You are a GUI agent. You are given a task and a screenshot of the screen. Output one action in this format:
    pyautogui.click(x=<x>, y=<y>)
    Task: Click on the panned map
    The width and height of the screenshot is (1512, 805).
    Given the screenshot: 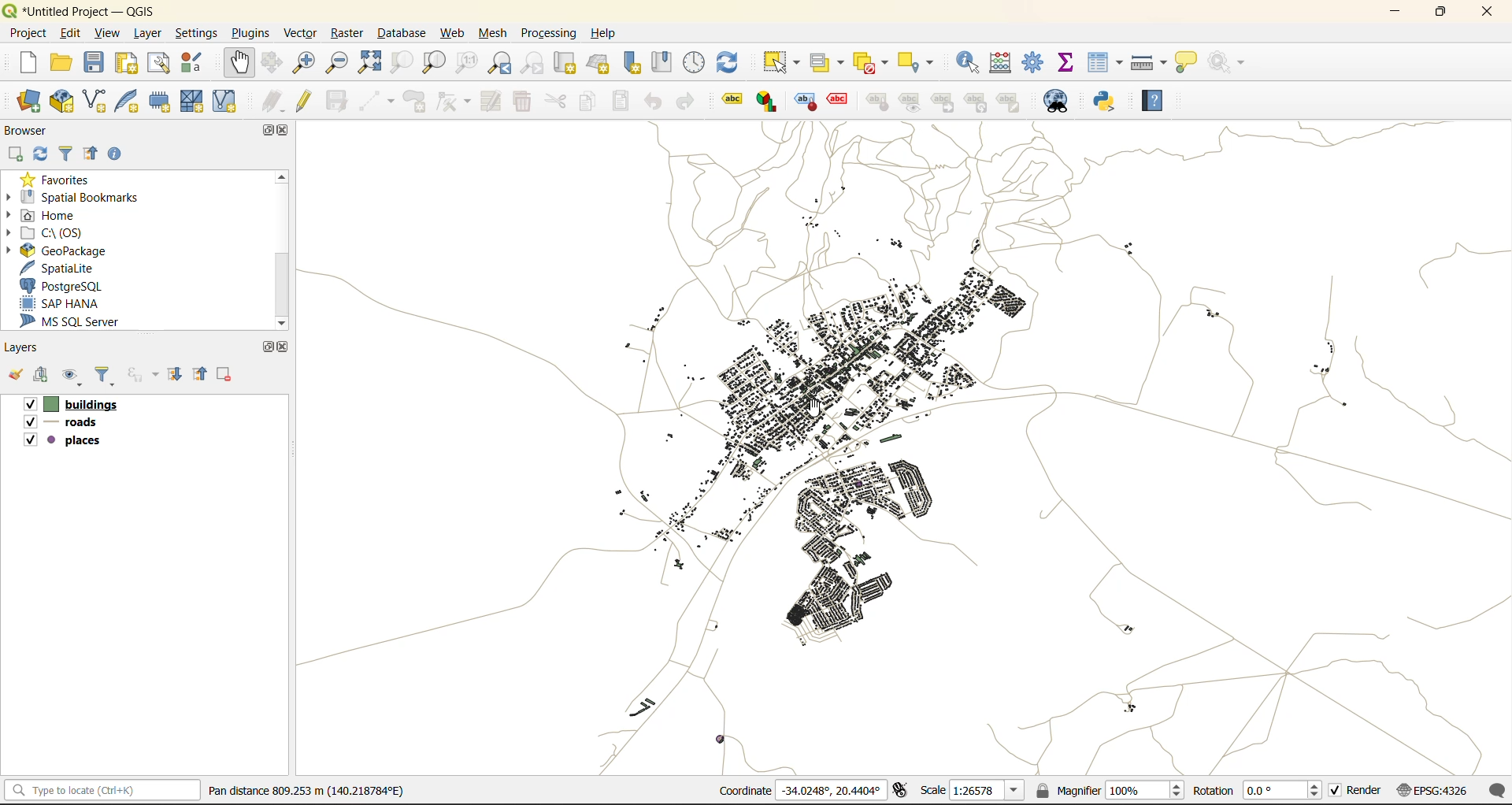 What is the action you would take?
    pyautogui.click(x=906, y=454)
    